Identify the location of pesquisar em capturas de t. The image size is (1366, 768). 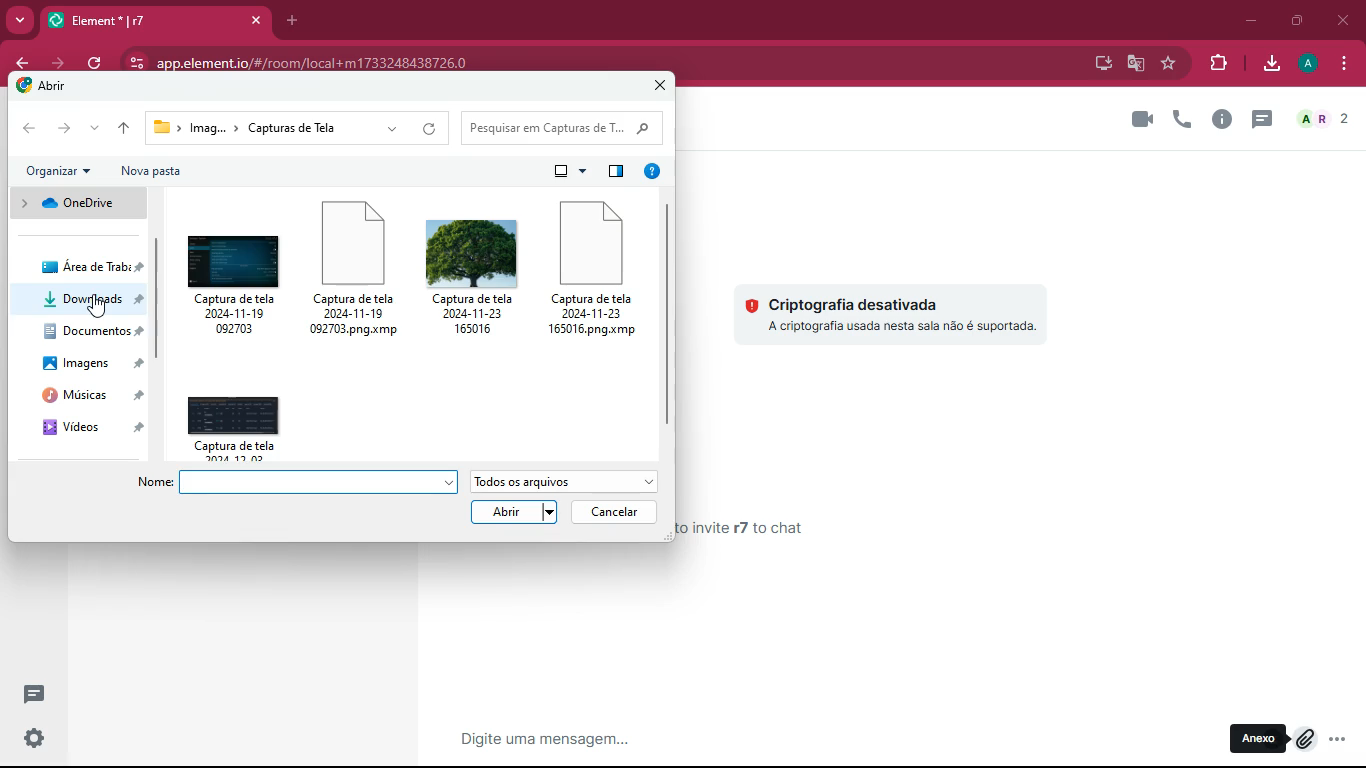
(565, 127).